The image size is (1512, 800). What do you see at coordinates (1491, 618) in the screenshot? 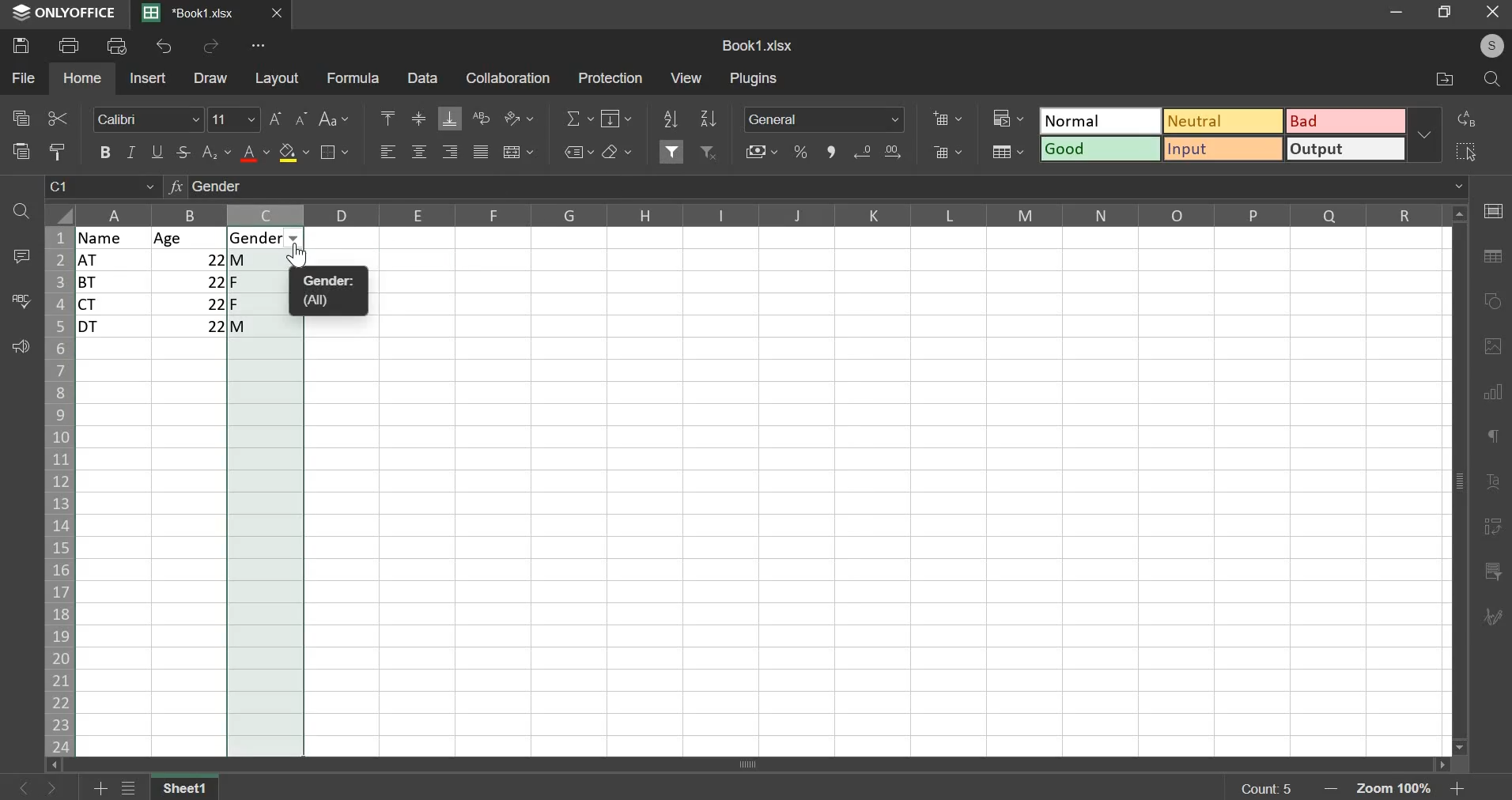
I see `signature` at bounding box center [1491, 618].